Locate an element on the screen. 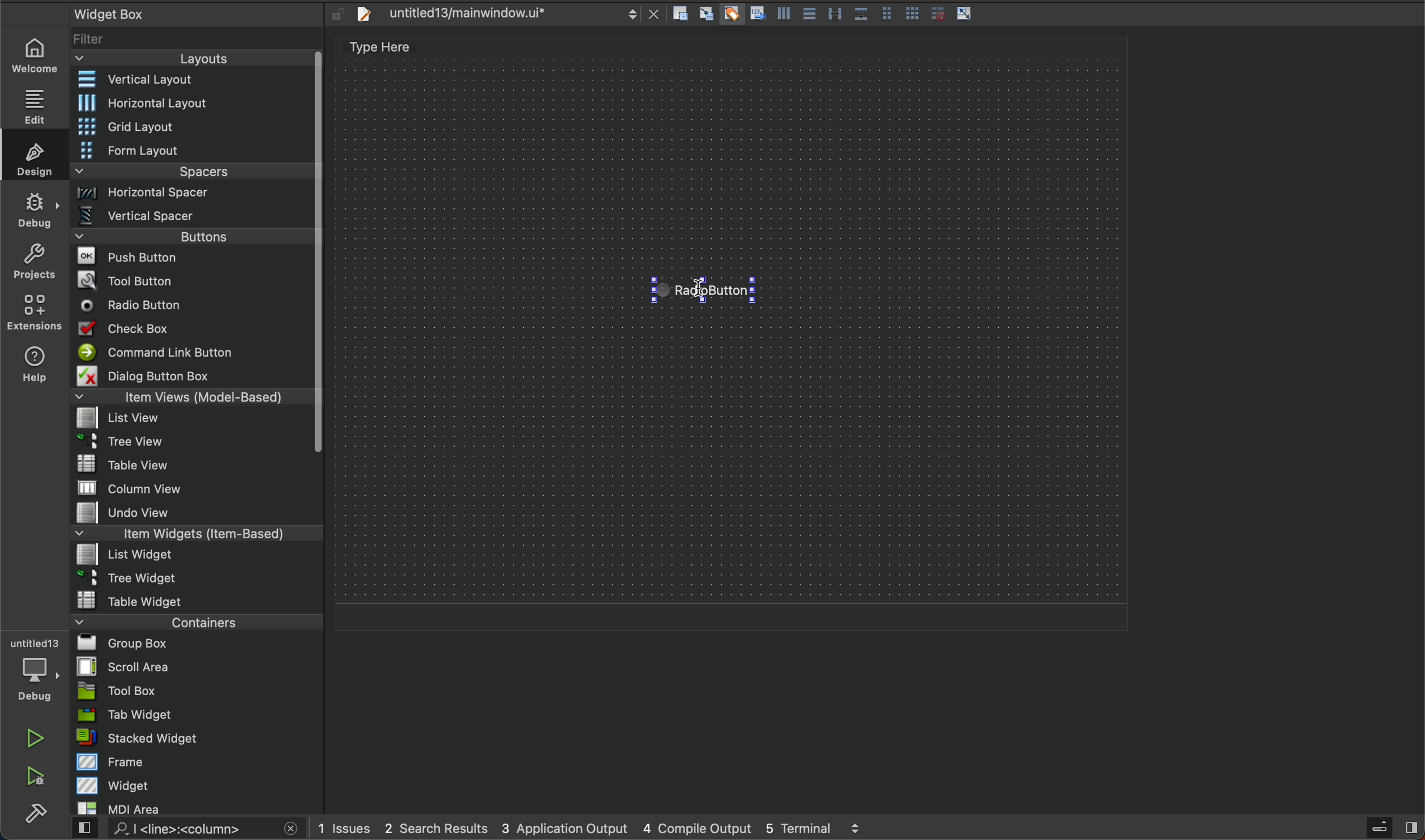 This screenshot has width=1425, height=840. item widget is located at coordinates (194, 536).